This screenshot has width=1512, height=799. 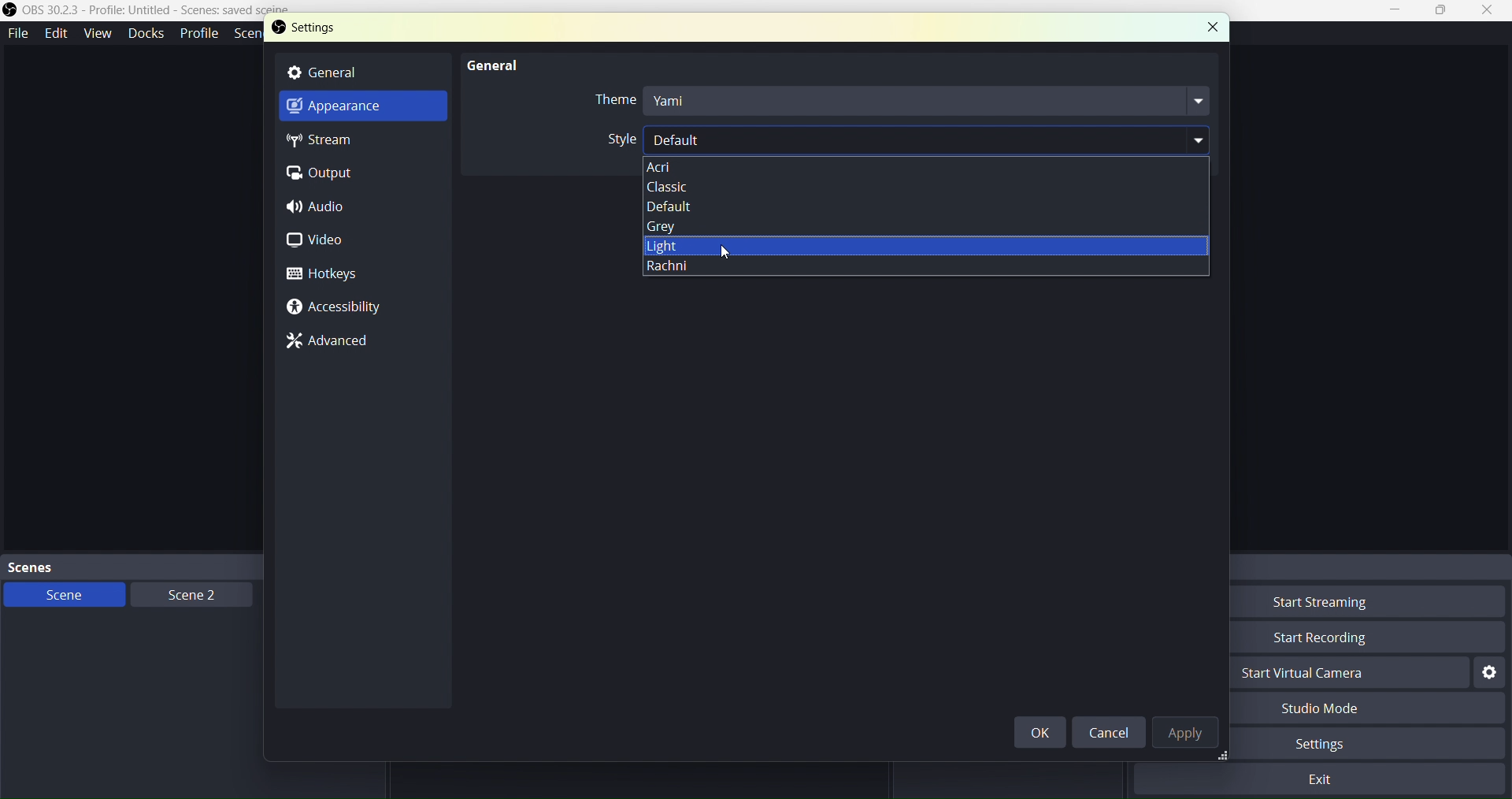 I want to click on classic, so click(x=916, y=188).